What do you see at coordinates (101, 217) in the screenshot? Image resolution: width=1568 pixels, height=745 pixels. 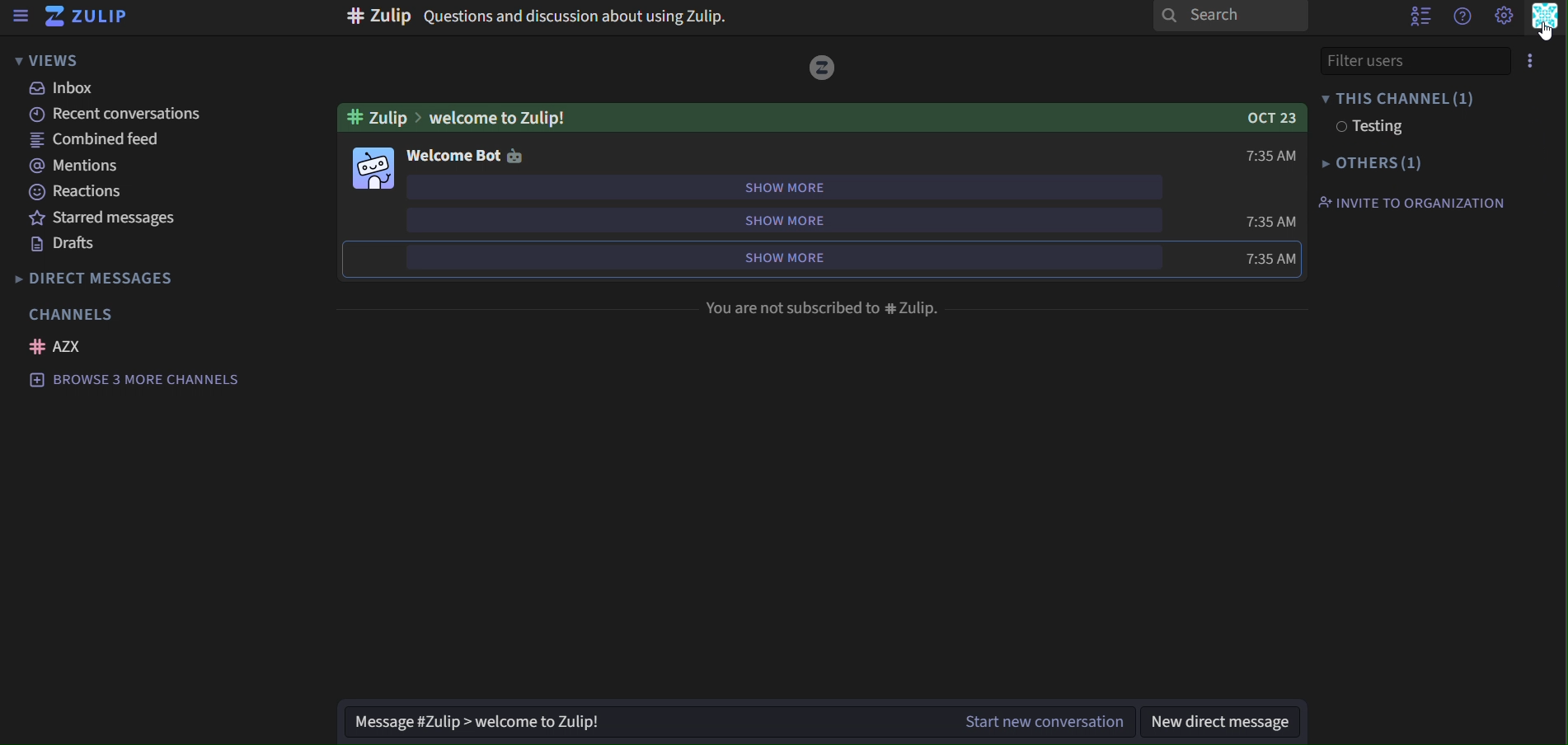 I see `starred messages` at bounding box center [101, 217].